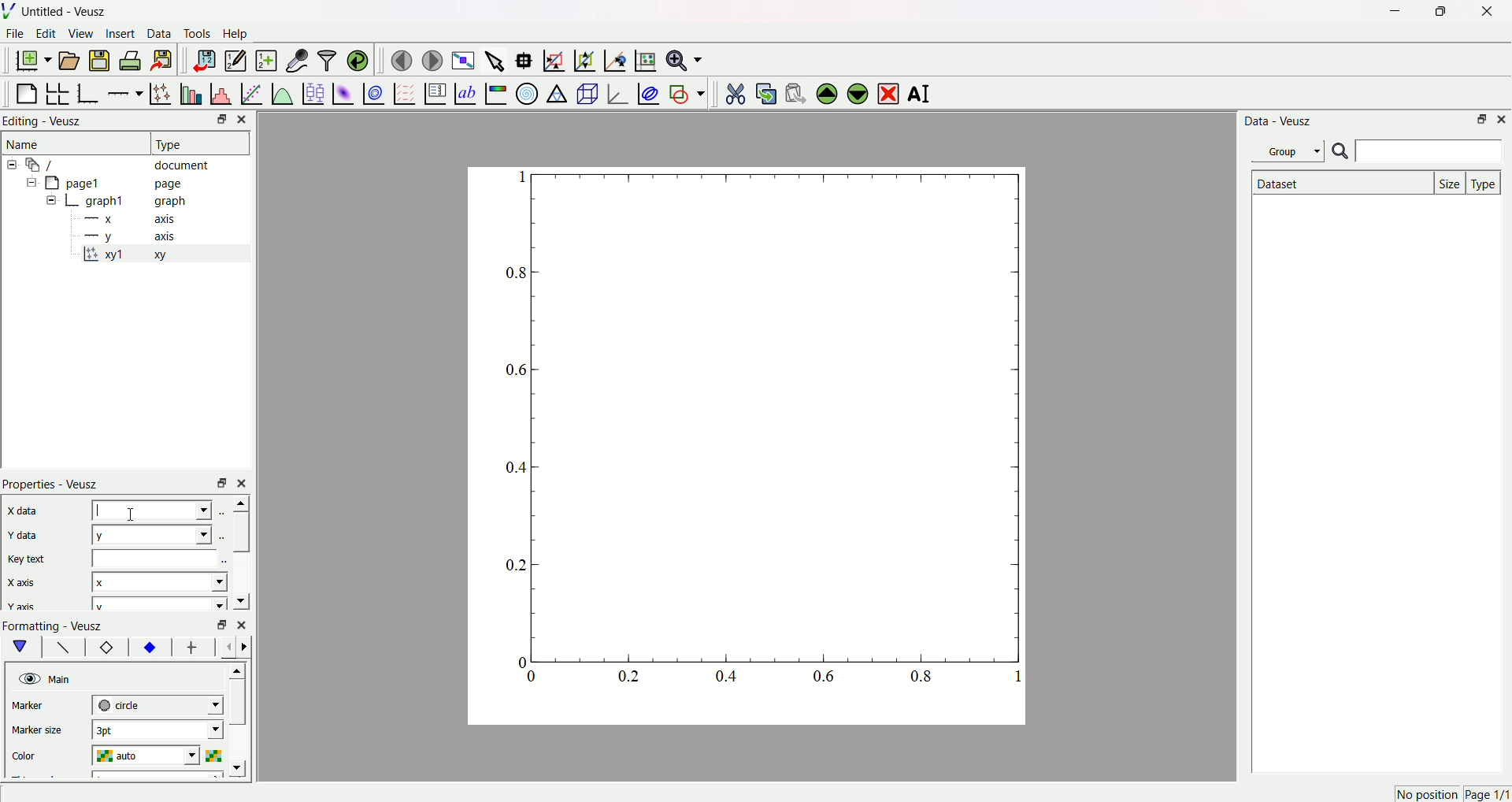 The image size is (1512, 802). I want to click on move down, so click(240, 600).